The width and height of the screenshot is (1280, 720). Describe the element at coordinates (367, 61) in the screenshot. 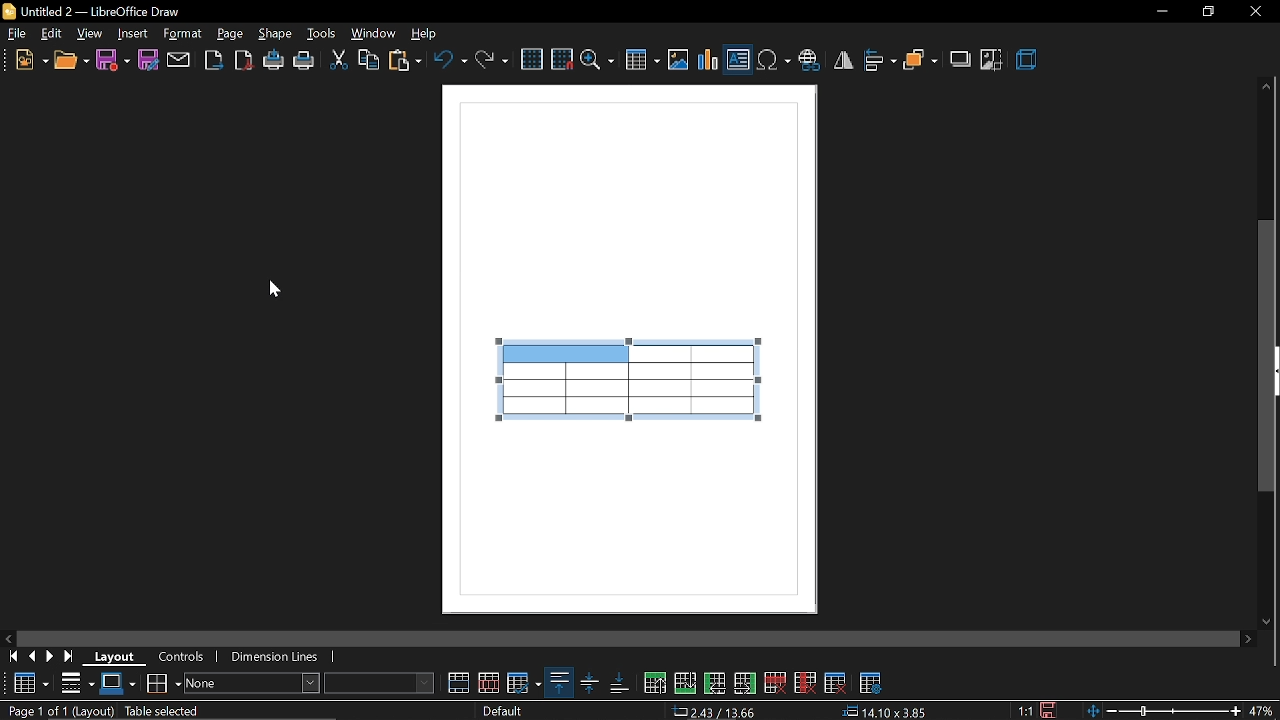

I see `copy` at that location.